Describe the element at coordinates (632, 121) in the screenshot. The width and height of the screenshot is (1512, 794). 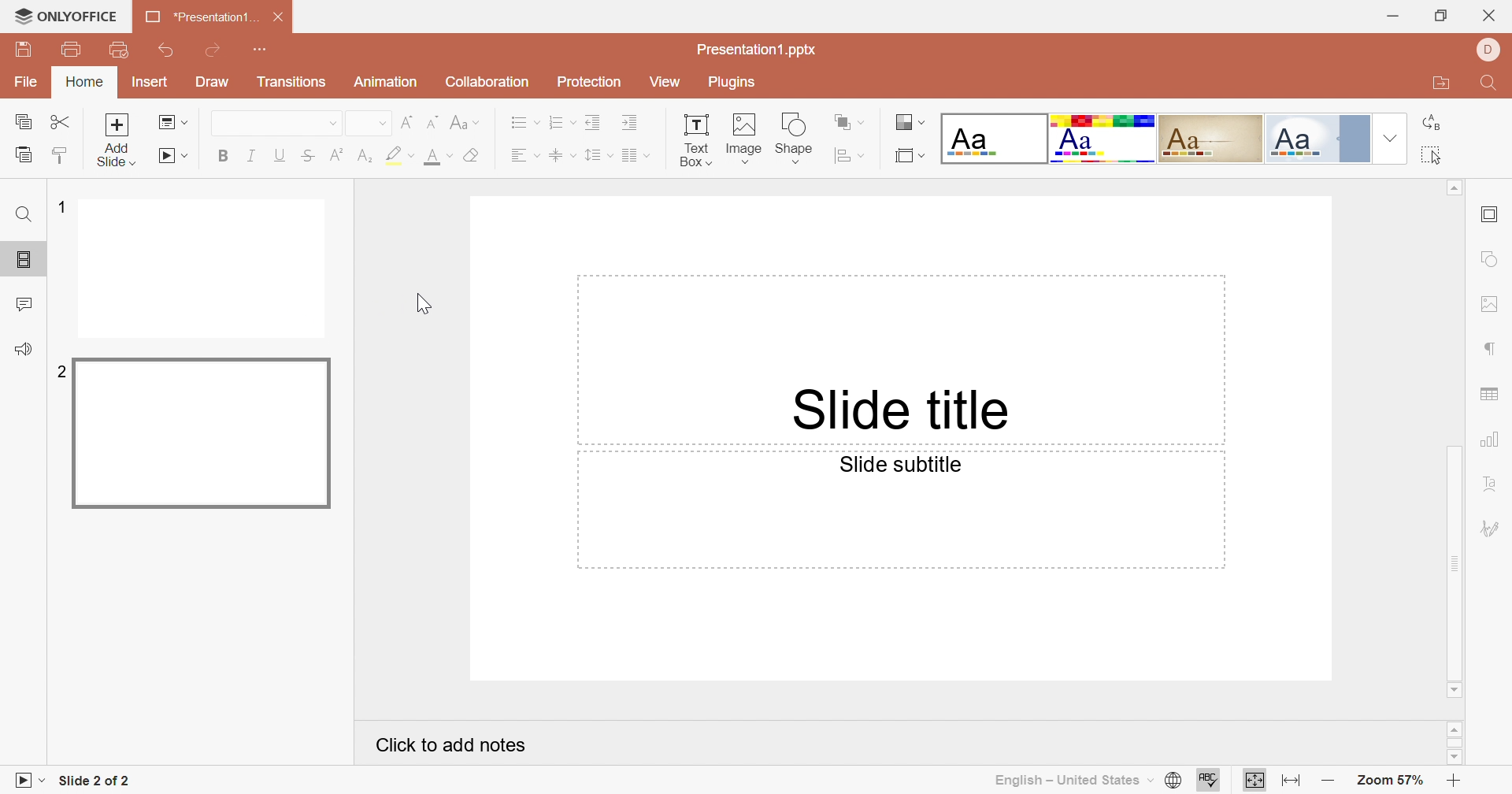
I see `Incre` at that location.